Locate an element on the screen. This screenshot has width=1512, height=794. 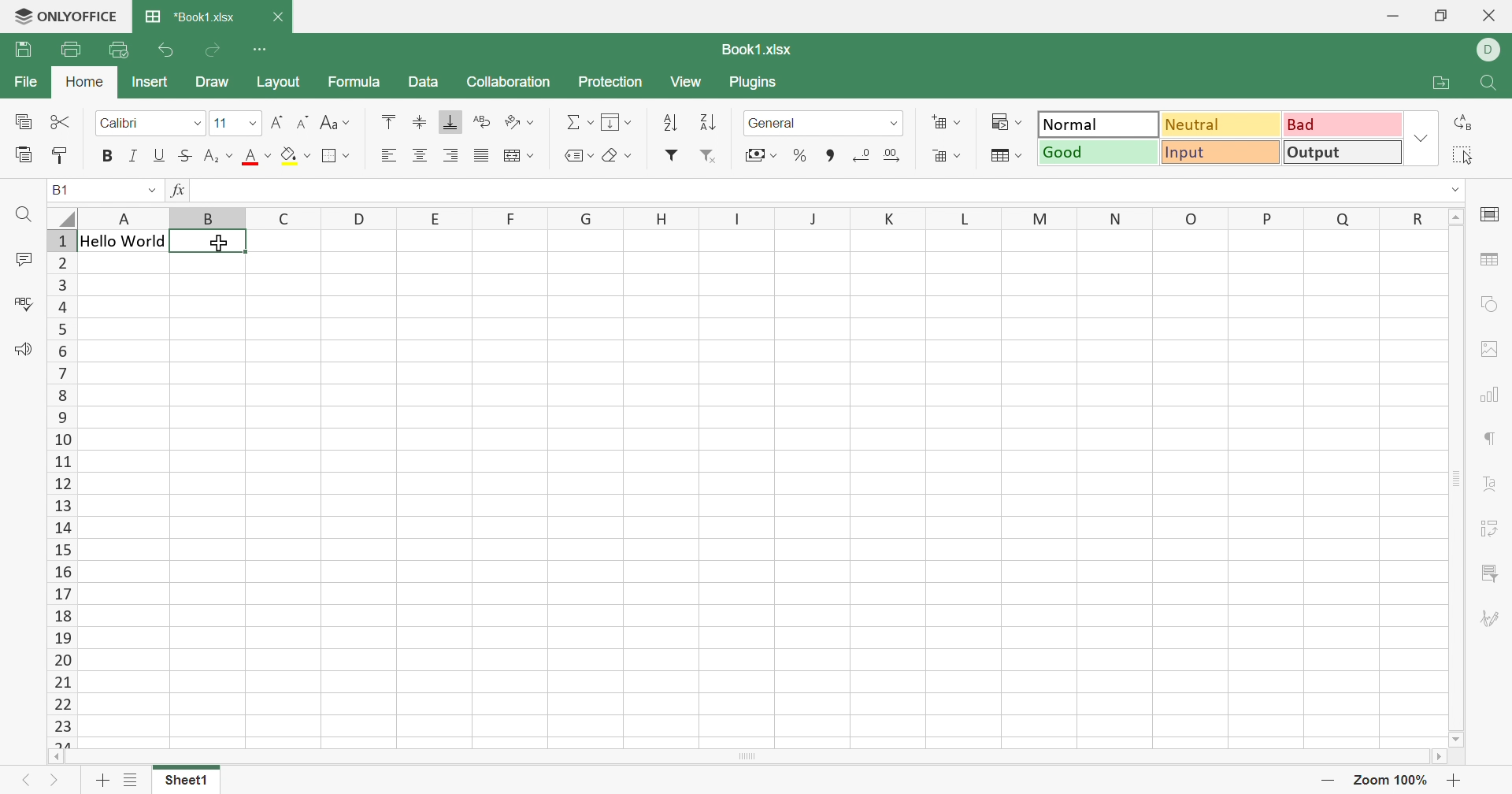
Previous is located at coordinates (28, 780).